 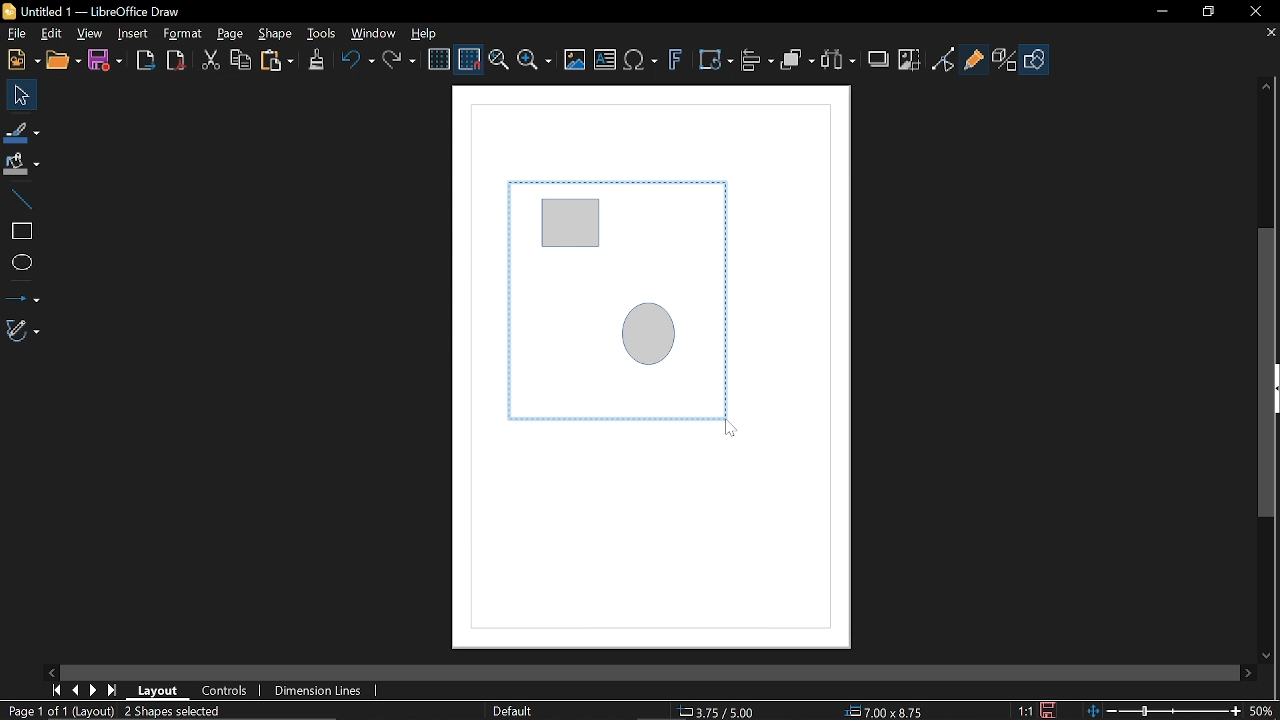 I want to click on Close tab, so click(x=1270, y=32).